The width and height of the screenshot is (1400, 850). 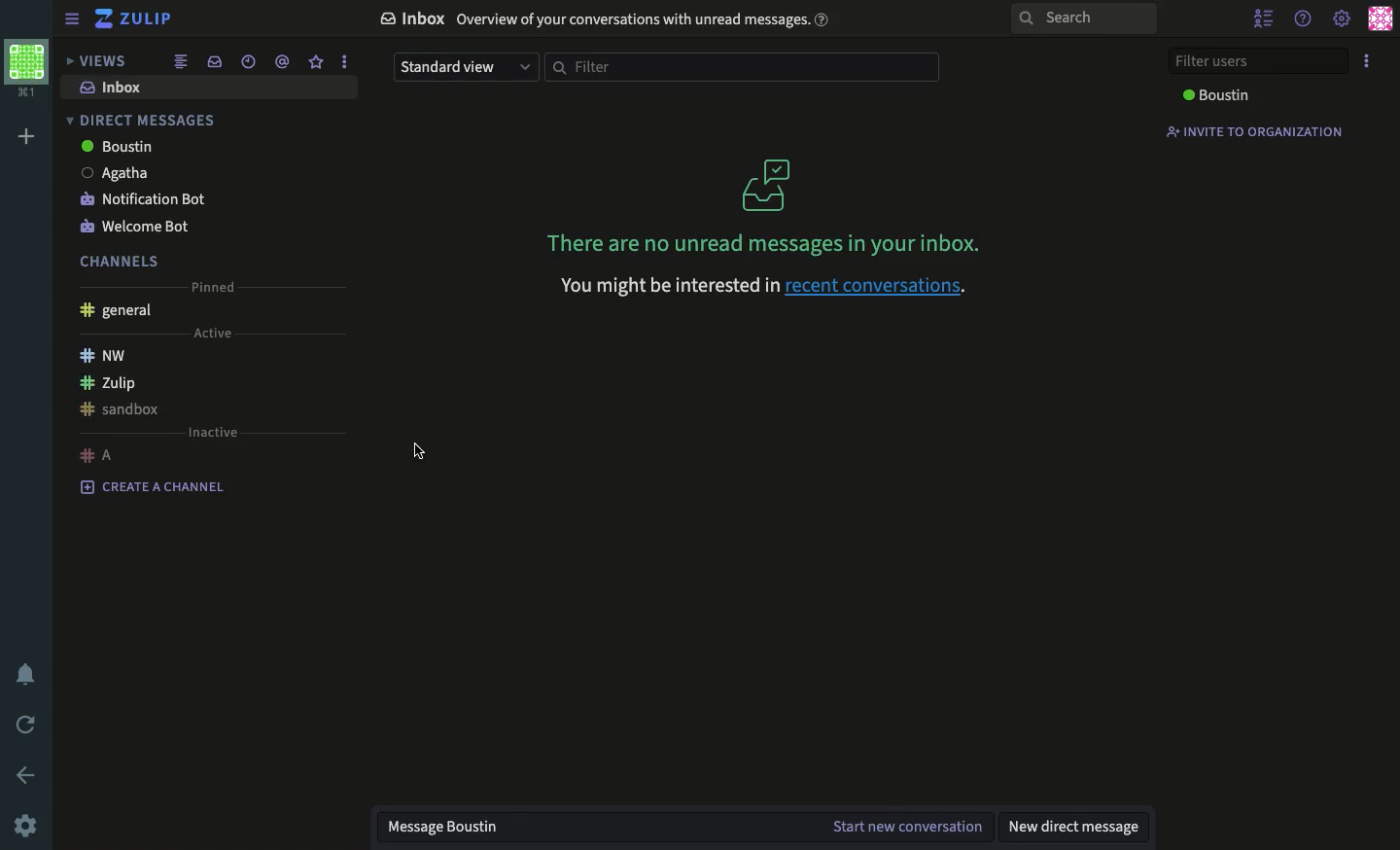 What do you see at coordinates (118, 174) in the screenshot?
I see `Agatha` at bounding box center [118, 174].